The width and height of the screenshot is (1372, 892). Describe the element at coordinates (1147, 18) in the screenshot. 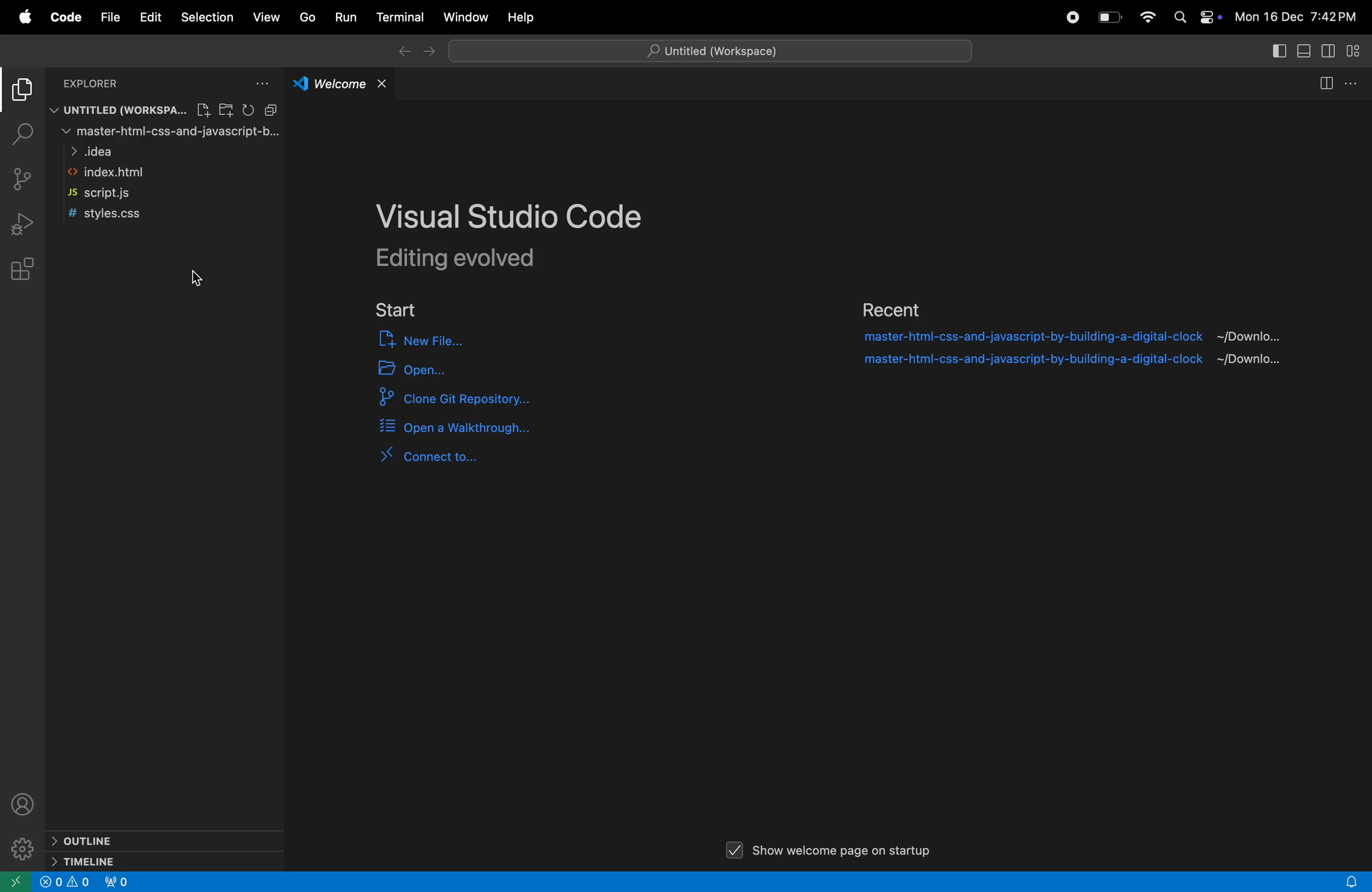

I see `wifi` at that location.